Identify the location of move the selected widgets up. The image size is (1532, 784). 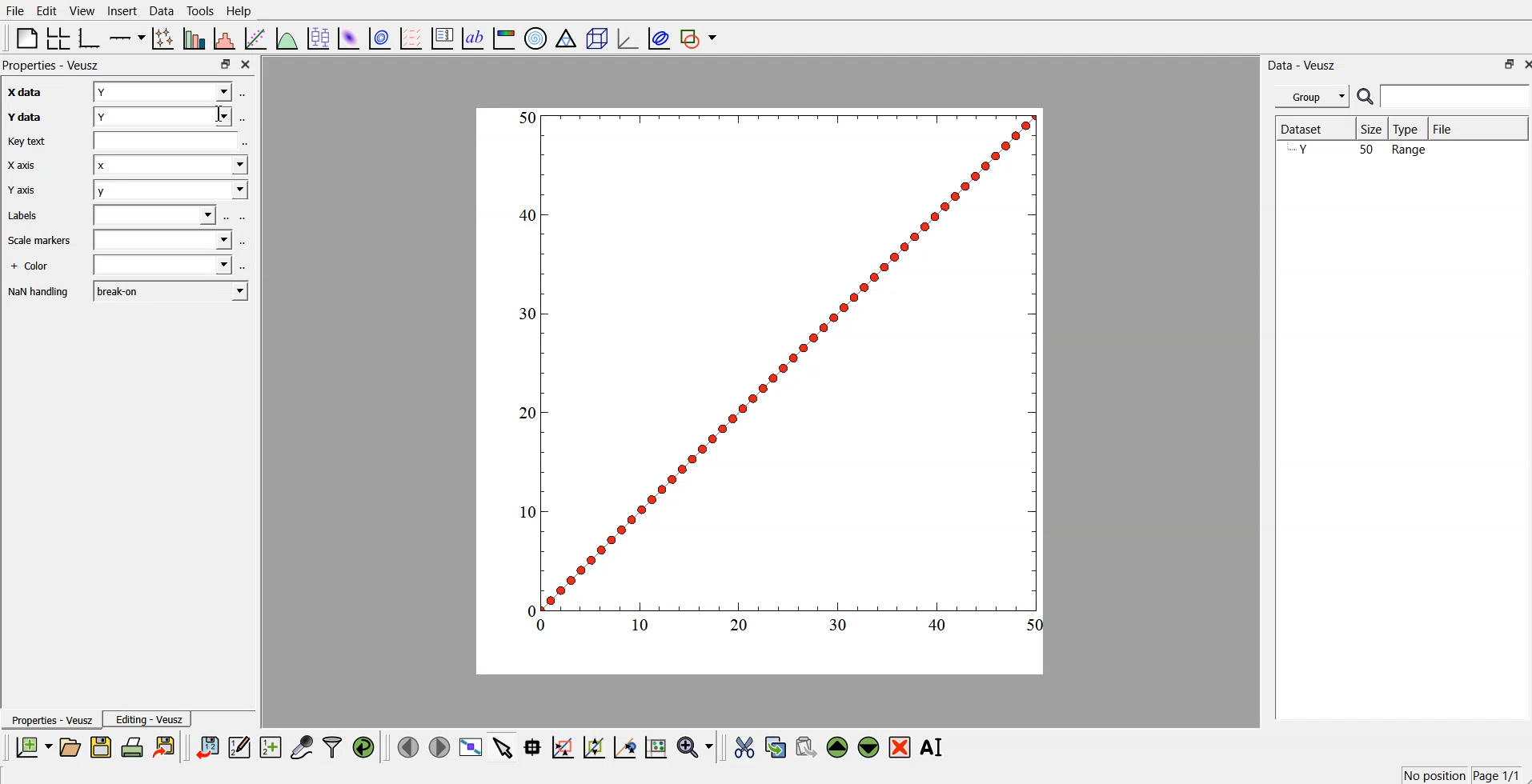
(839, 747).